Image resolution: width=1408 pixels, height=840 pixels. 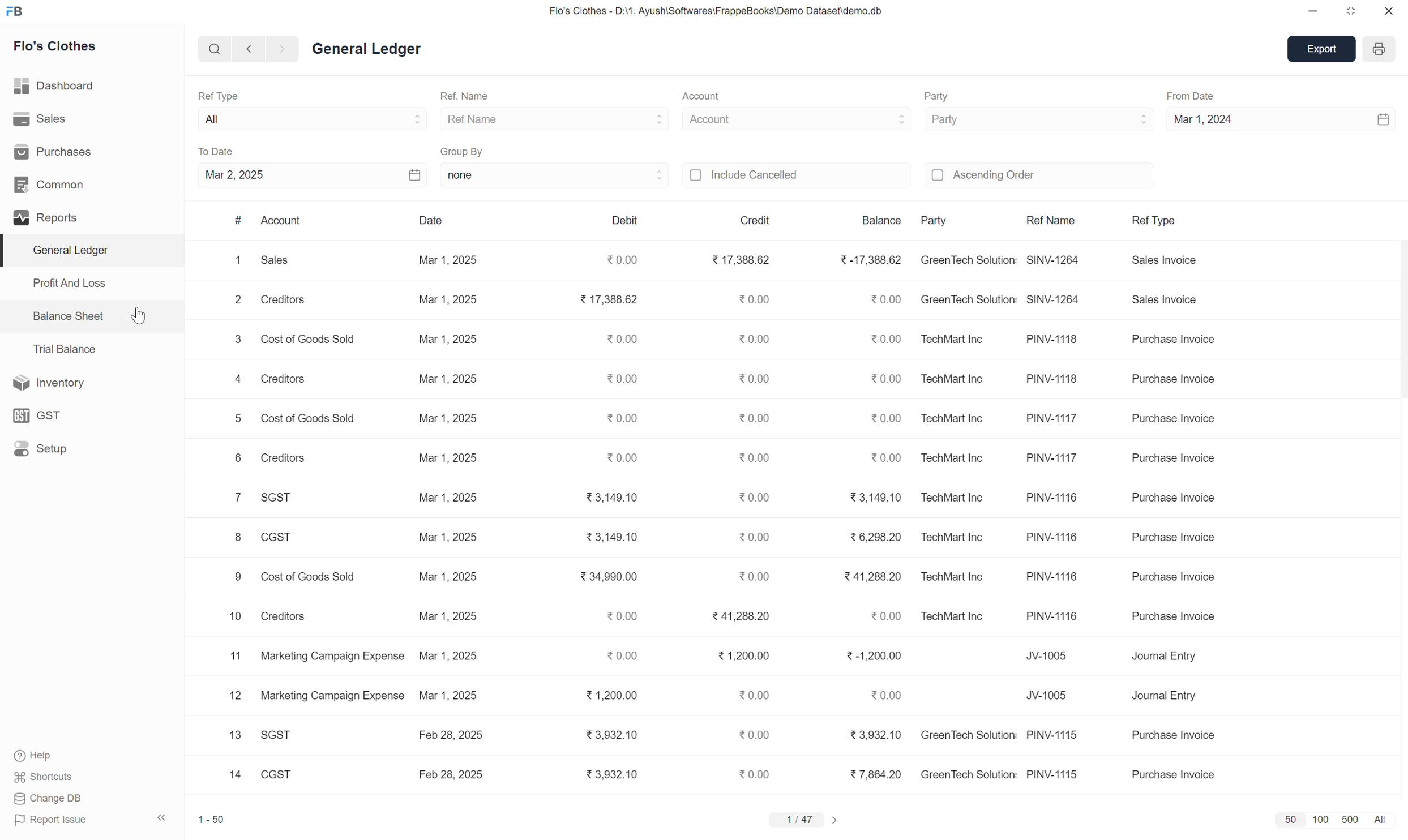 I want to click on Party, so click(x=937, y=220).